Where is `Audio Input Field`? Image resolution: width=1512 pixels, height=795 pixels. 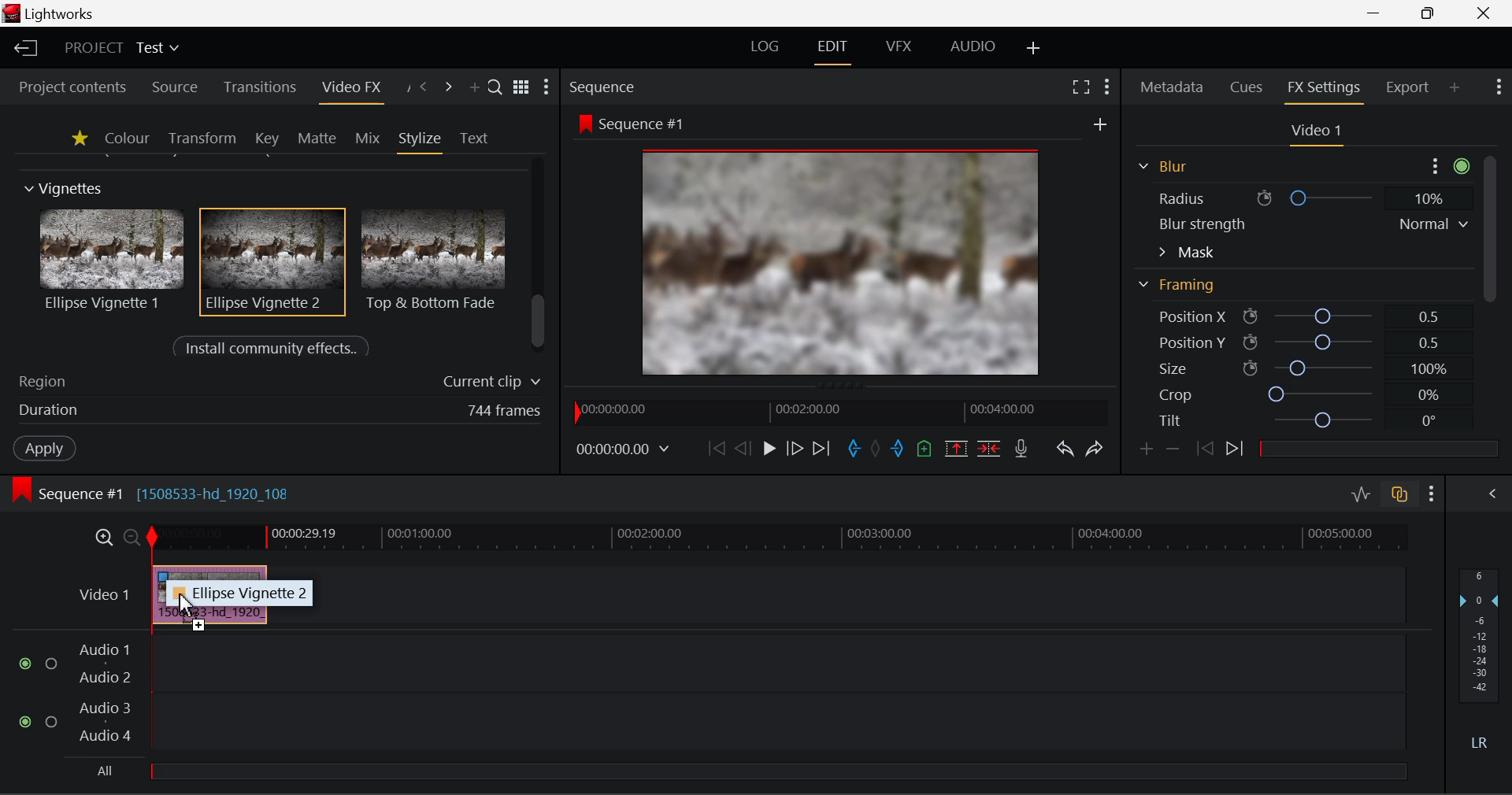
Audio Input Field is located at coordinates (696, 708).